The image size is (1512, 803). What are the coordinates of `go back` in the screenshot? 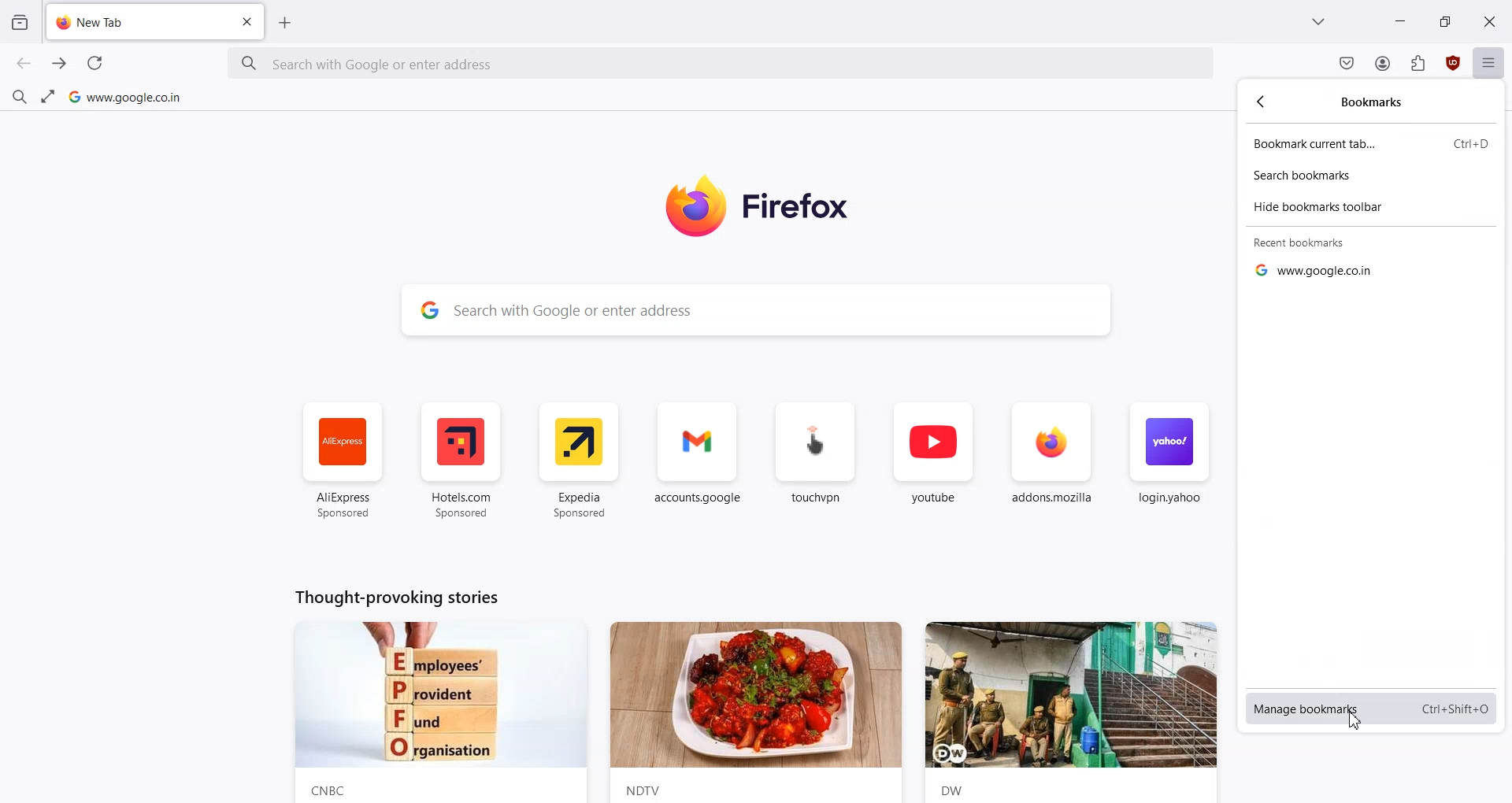 It's located at (1263, 102).